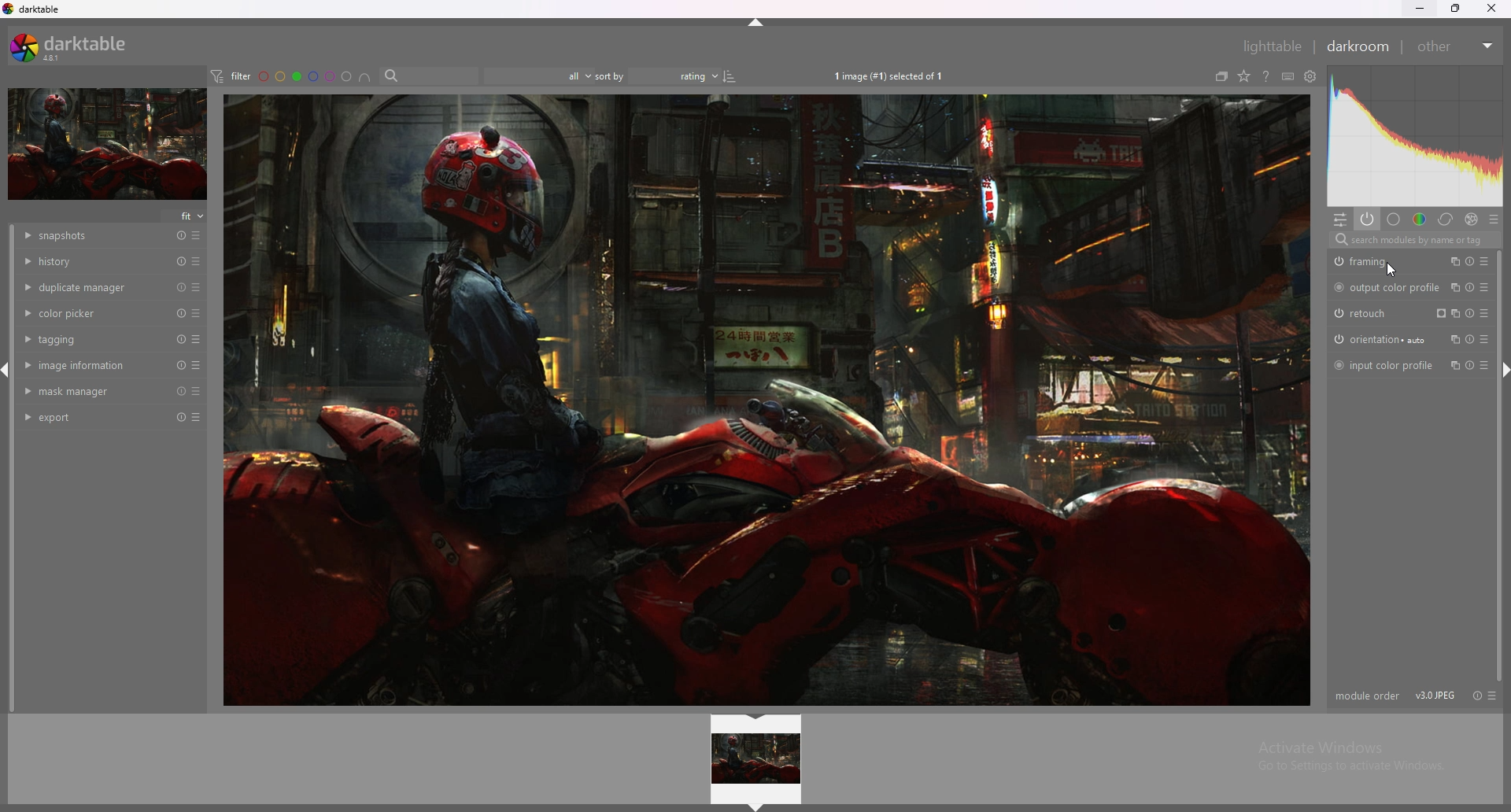 This screenshot has width=1511, height=812. I want to click on filter by images rating, so click(531, 75).